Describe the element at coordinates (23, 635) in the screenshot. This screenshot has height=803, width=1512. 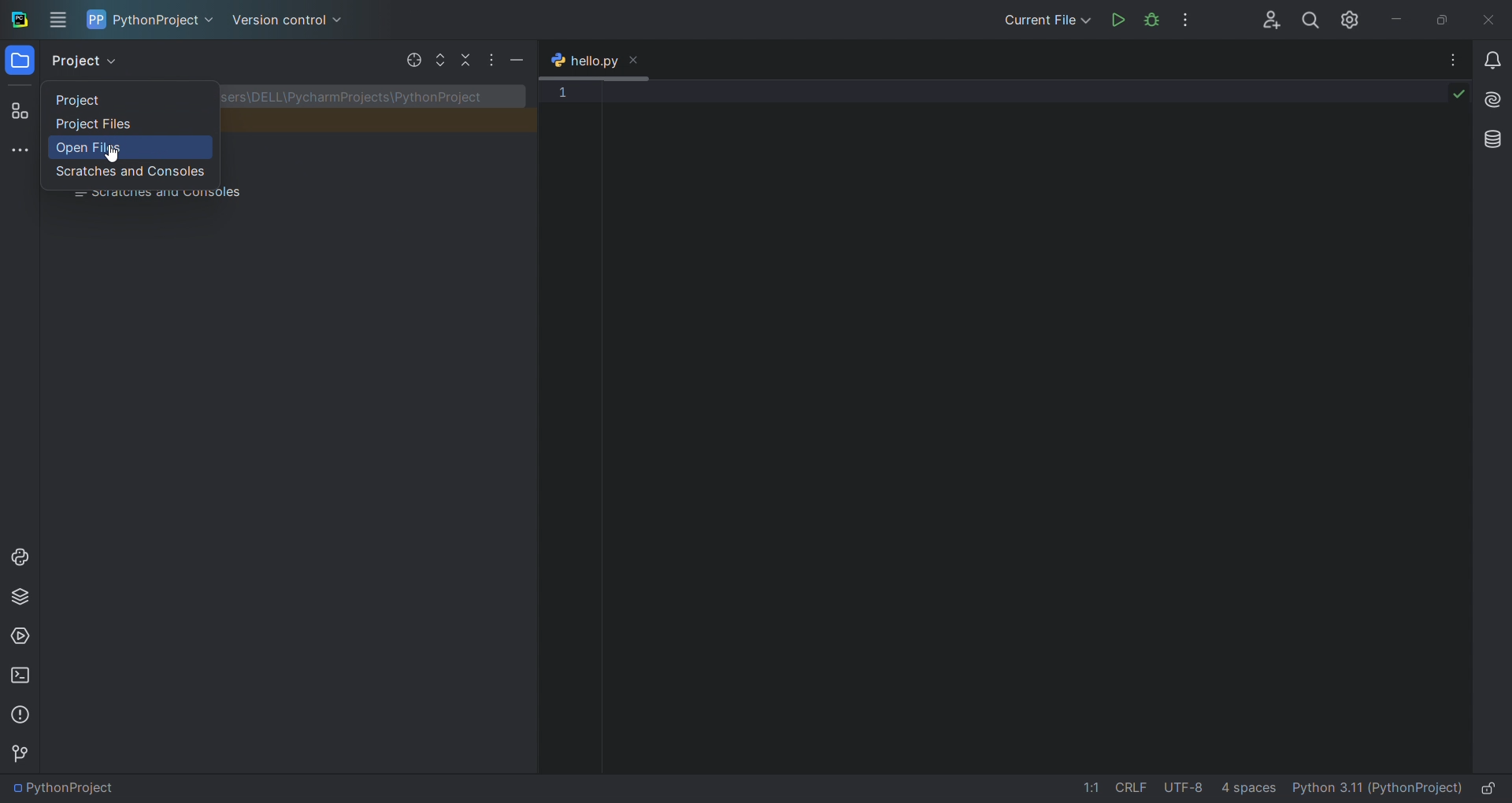
I see `services` at that location.